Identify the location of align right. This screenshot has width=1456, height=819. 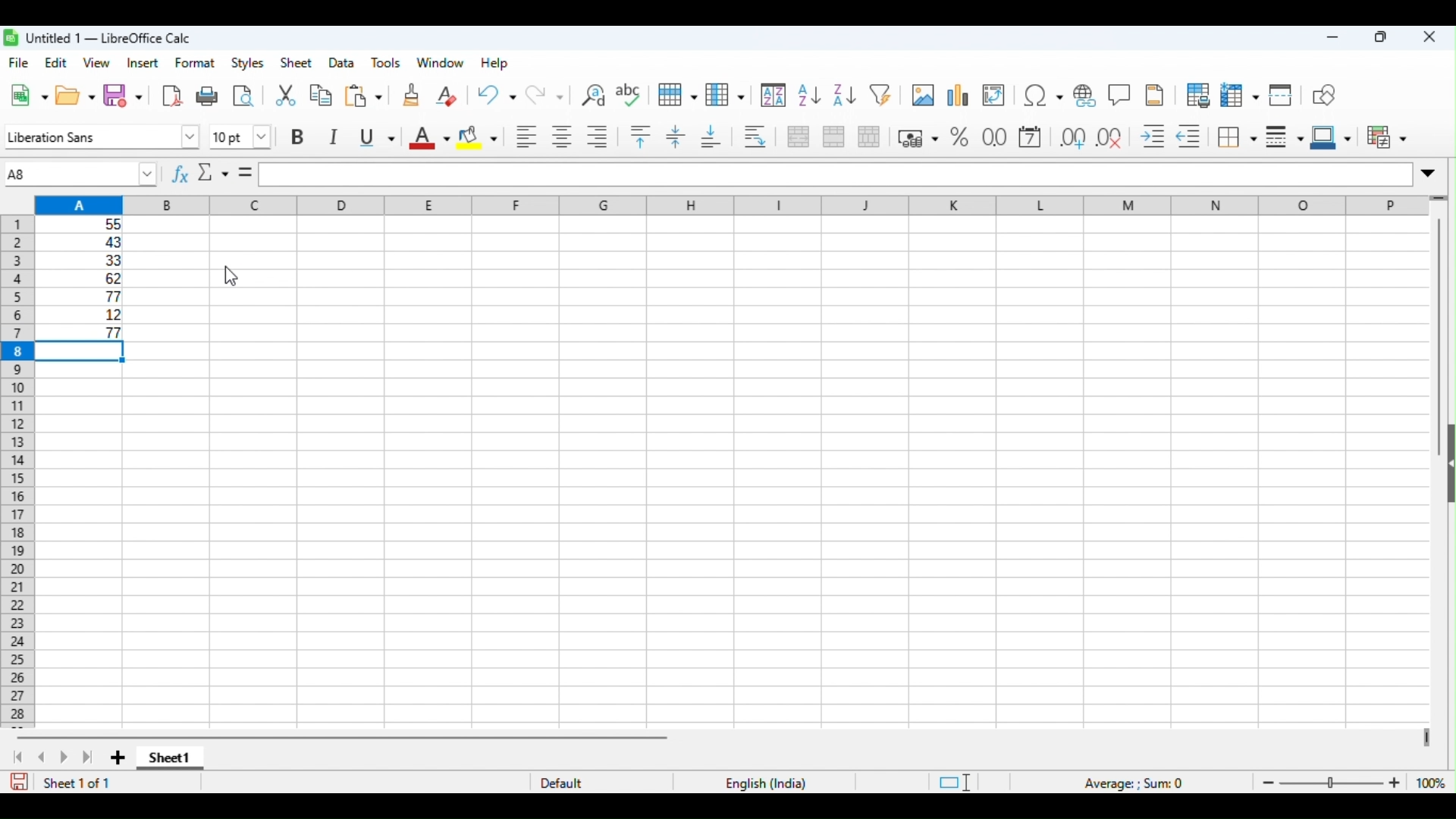
(599, 137).